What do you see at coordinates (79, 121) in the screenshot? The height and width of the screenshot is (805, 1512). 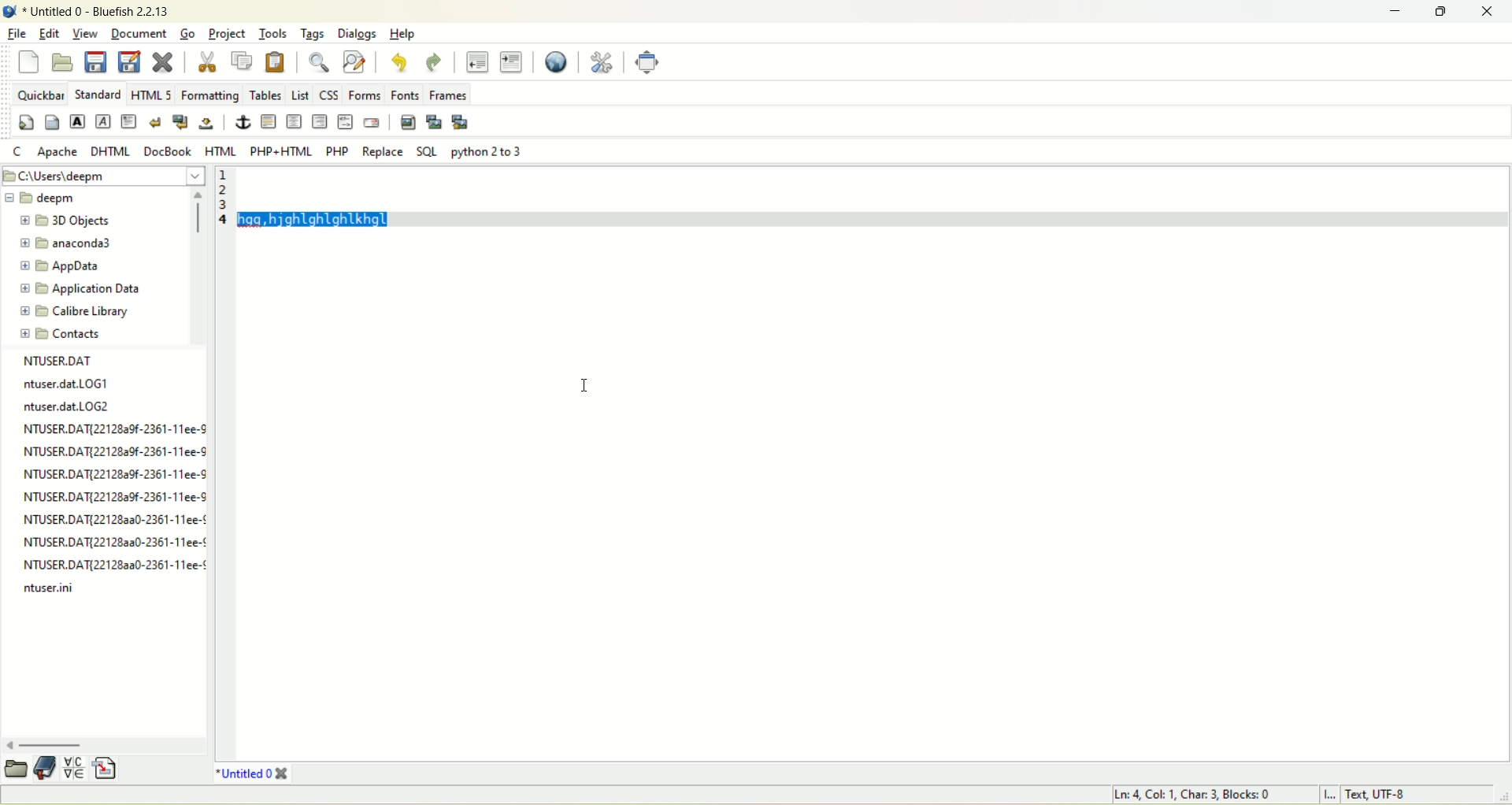 I see `strong` at bounding box center [79, 121].